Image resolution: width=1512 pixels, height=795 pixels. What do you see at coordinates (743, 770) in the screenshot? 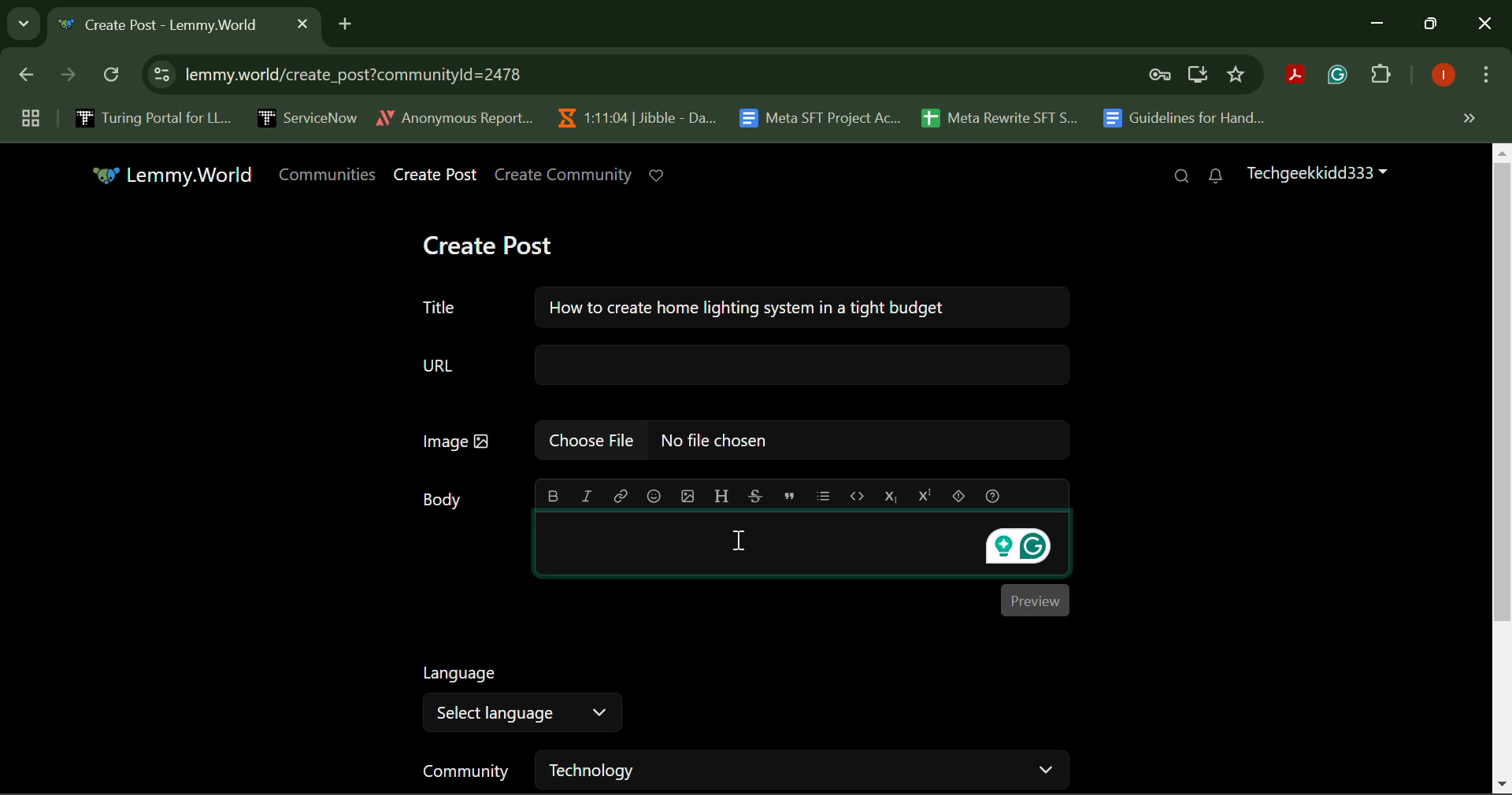
I see `Community Selection Filter ` at bounding box center [743, 770].